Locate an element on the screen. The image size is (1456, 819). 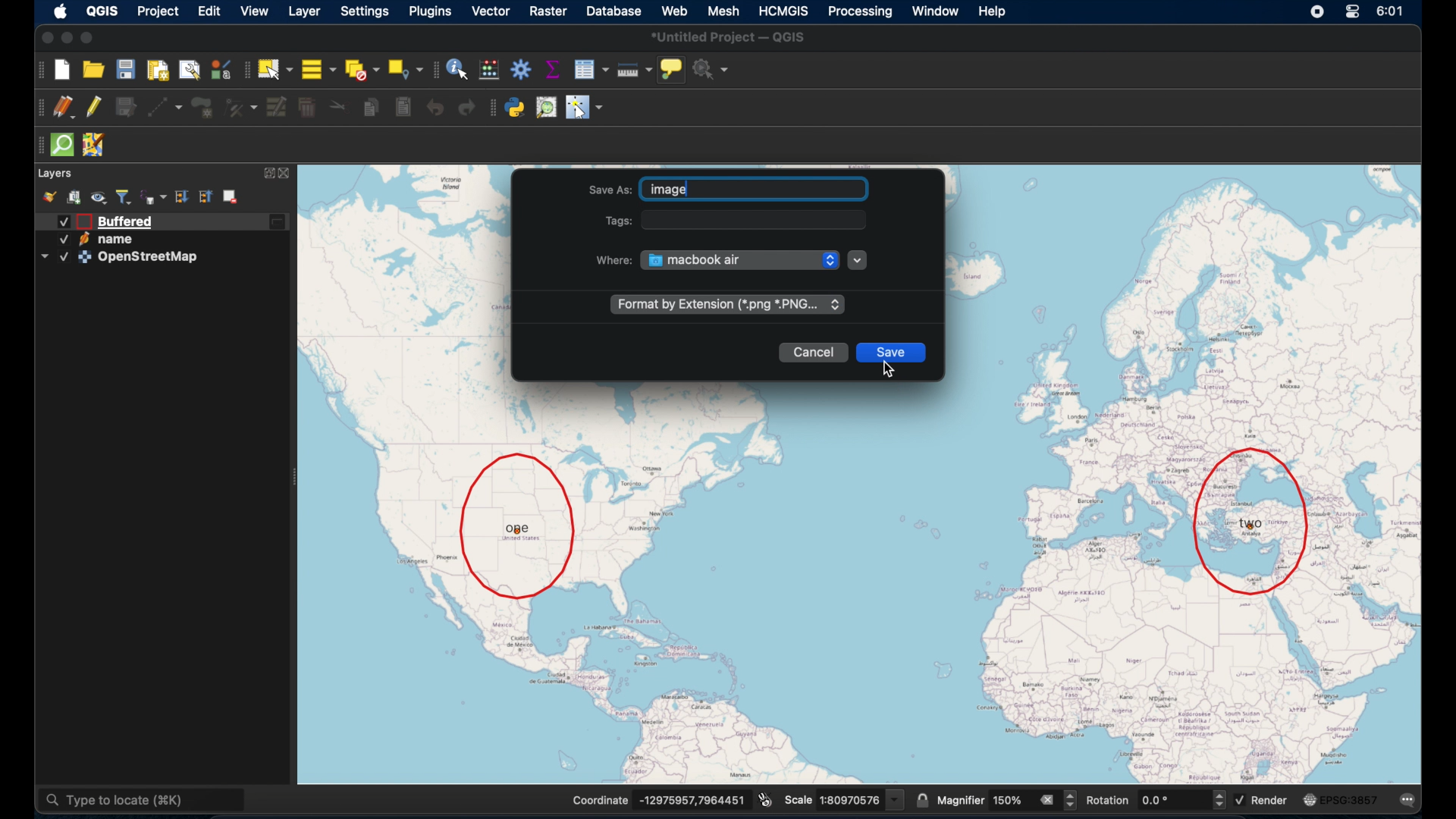
cut features is located at coordinates (335, 105).